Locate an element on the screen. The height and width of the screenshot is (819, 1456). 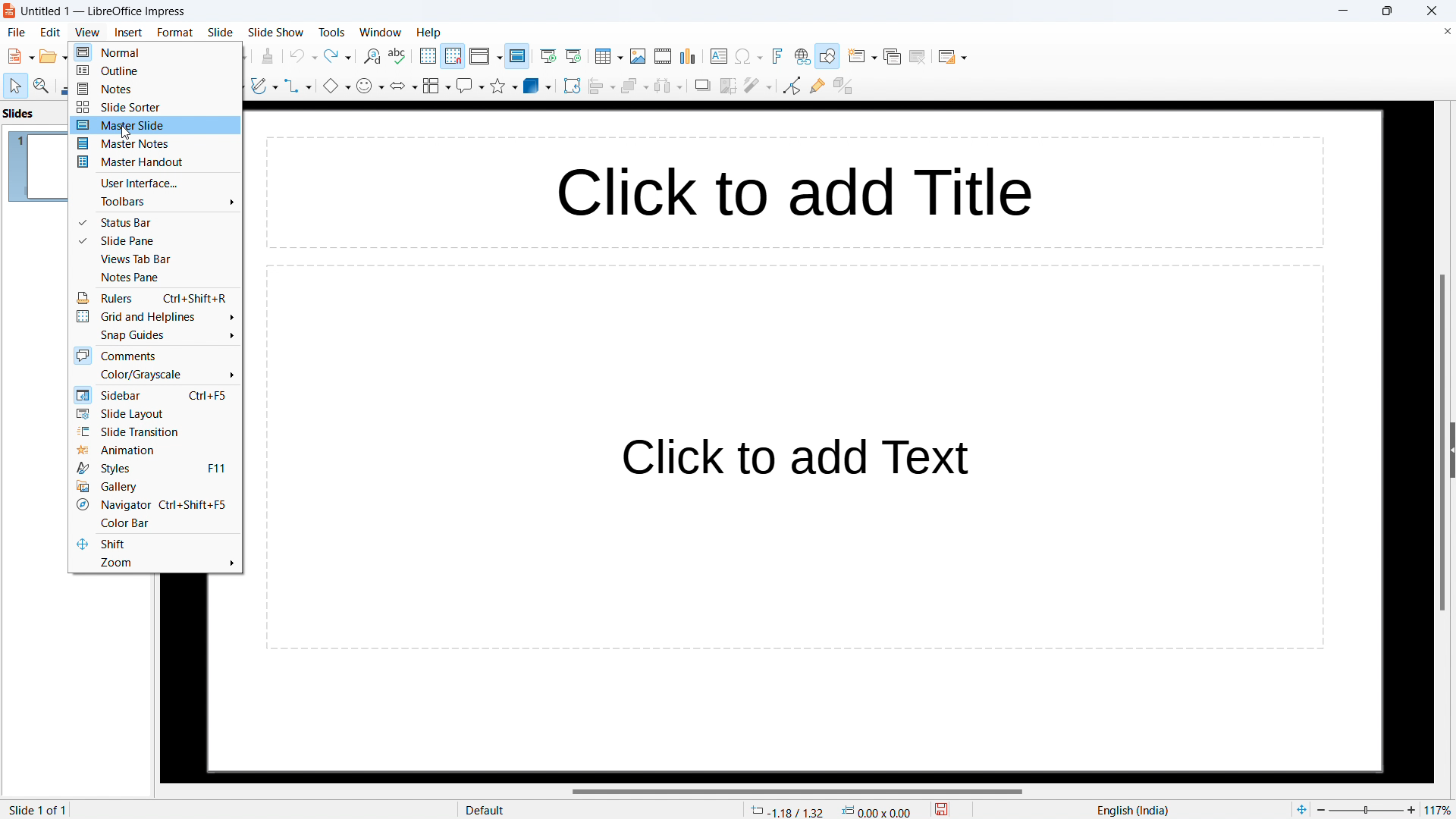
insert audio or video is located at coordinates (664, 57).